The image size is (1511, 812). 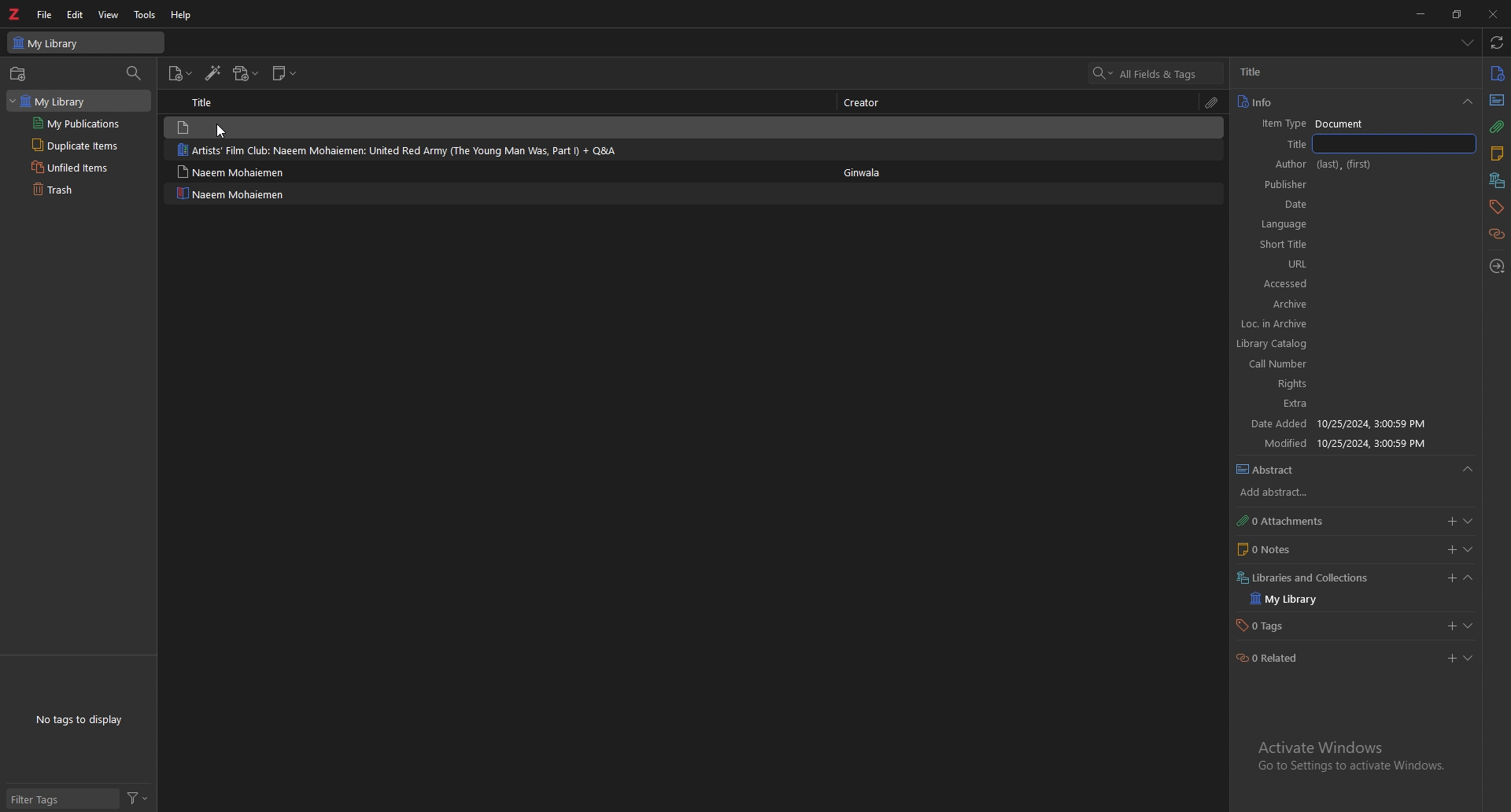 I want to click on rights, so click(x=1281, y=563).